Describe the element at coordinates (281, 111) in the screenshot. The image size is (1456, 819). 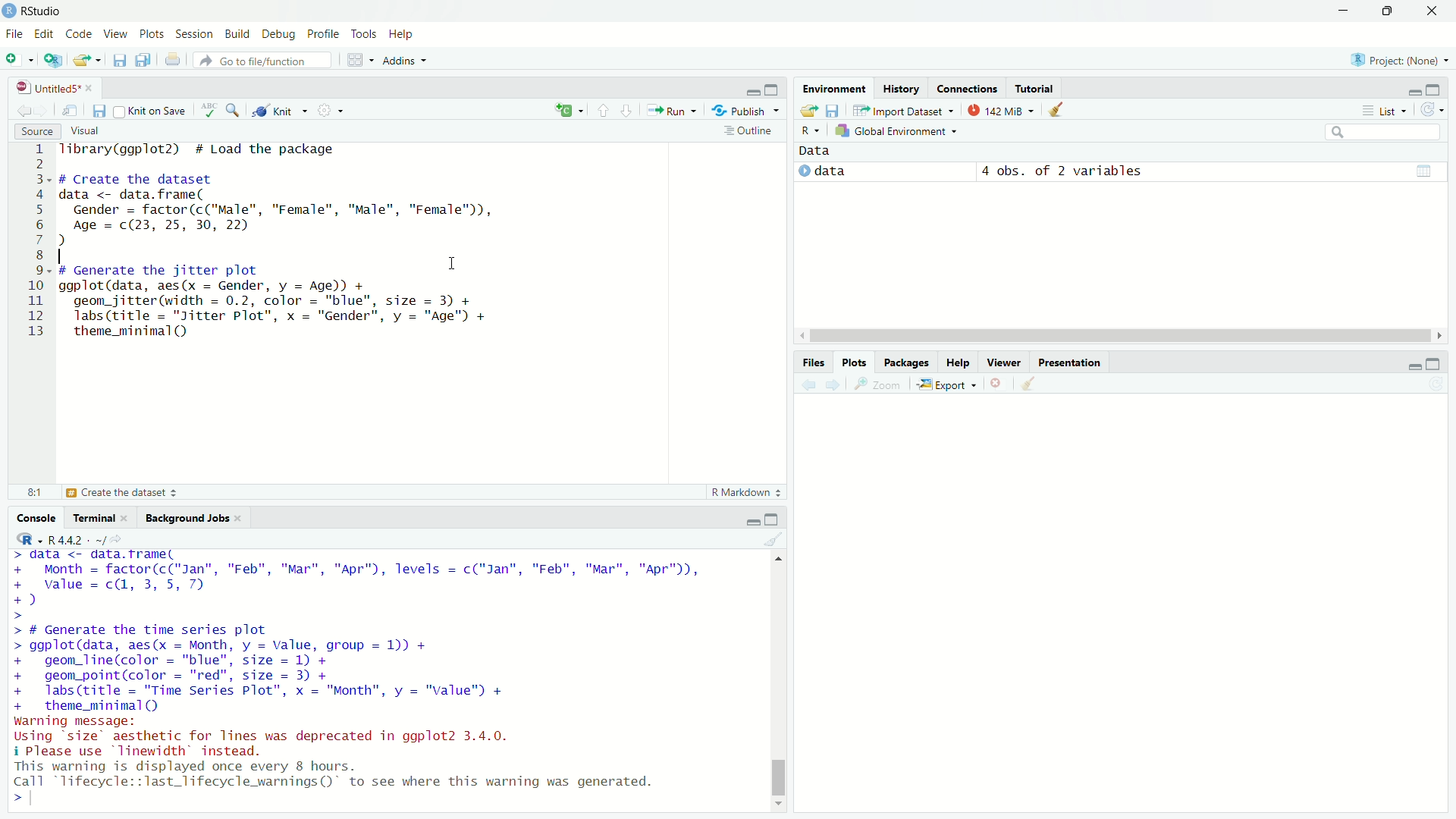
I see `knit` at that location.